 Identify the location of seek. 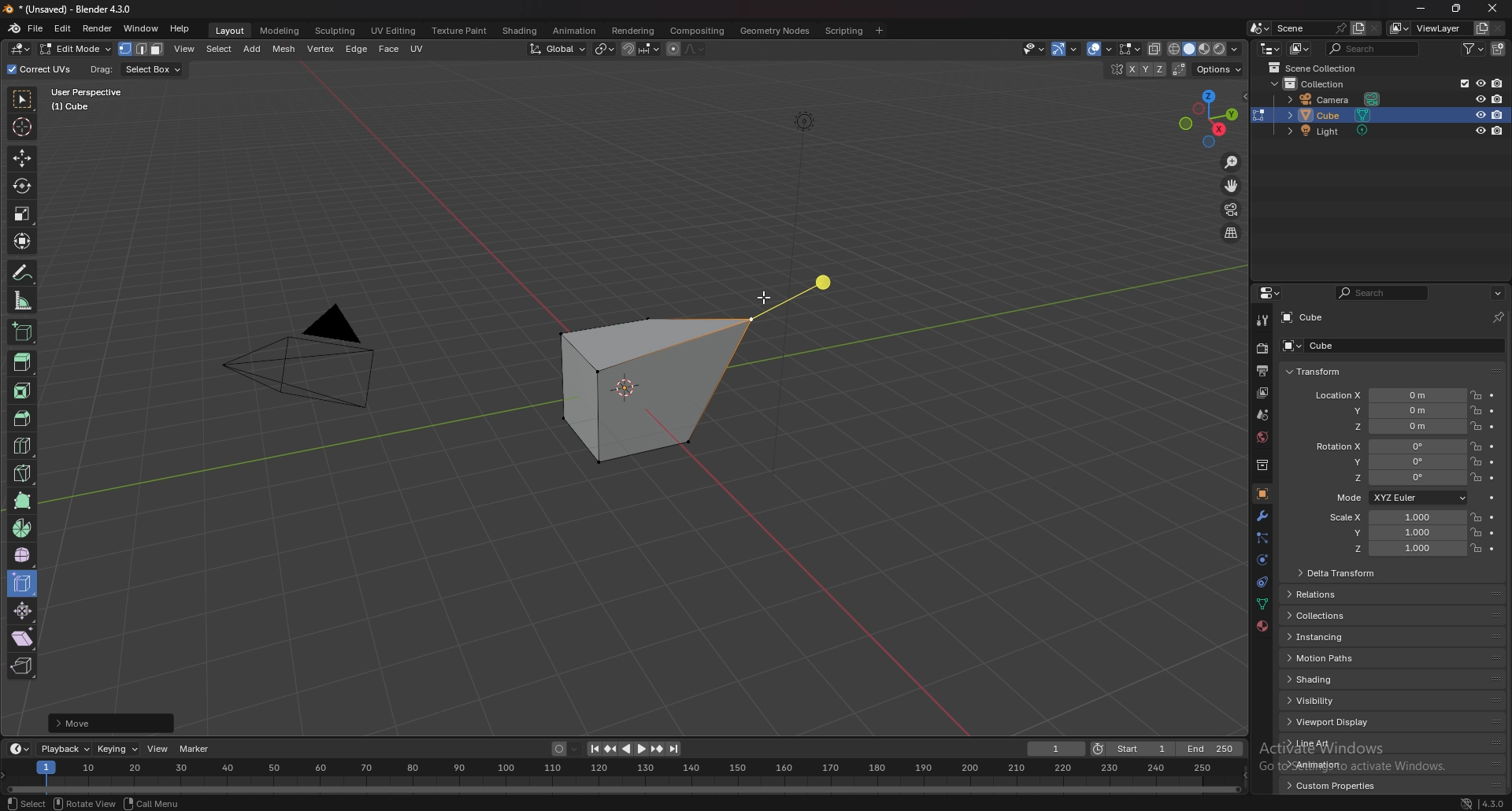
(621, 777).